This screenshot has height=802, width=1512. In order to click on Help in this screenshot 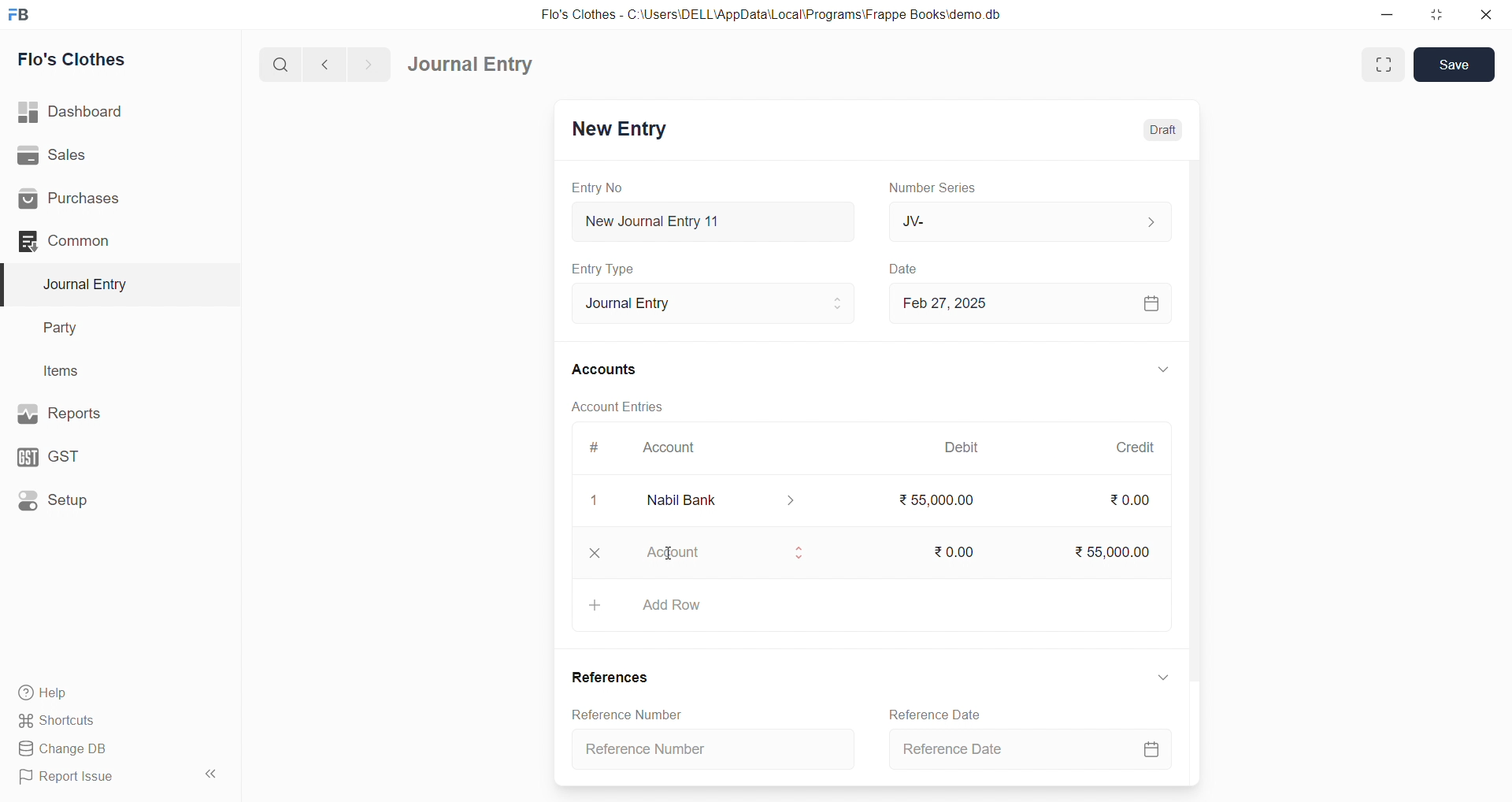, I will do `click(98, 694)`.